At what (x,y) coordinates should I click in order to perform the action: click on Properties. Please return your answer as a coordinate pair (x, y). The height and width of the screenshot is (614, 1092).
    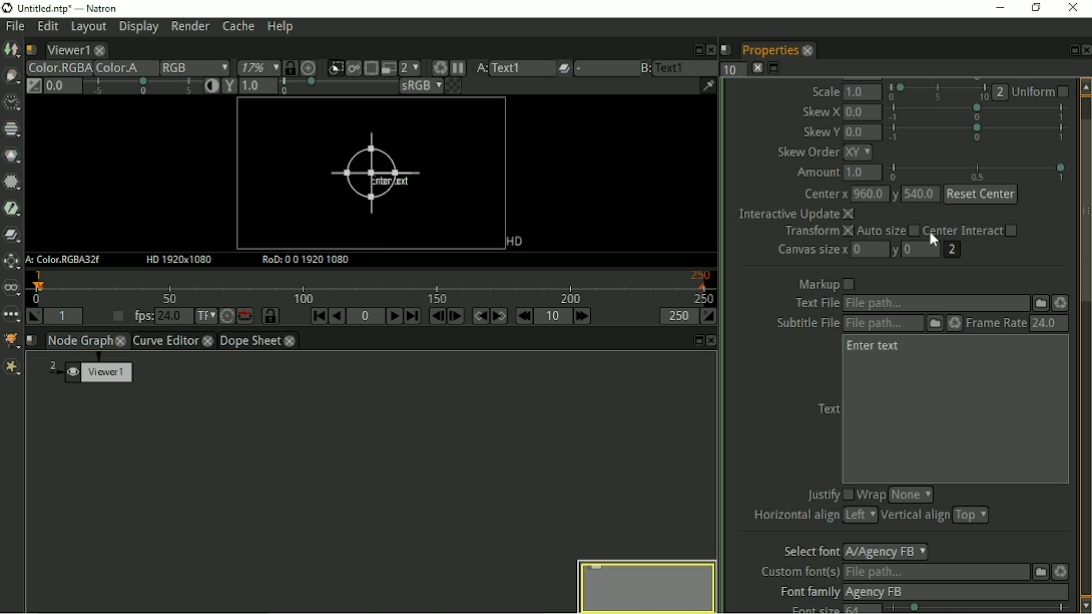
    Looking at the image, I should click on (768, 50).